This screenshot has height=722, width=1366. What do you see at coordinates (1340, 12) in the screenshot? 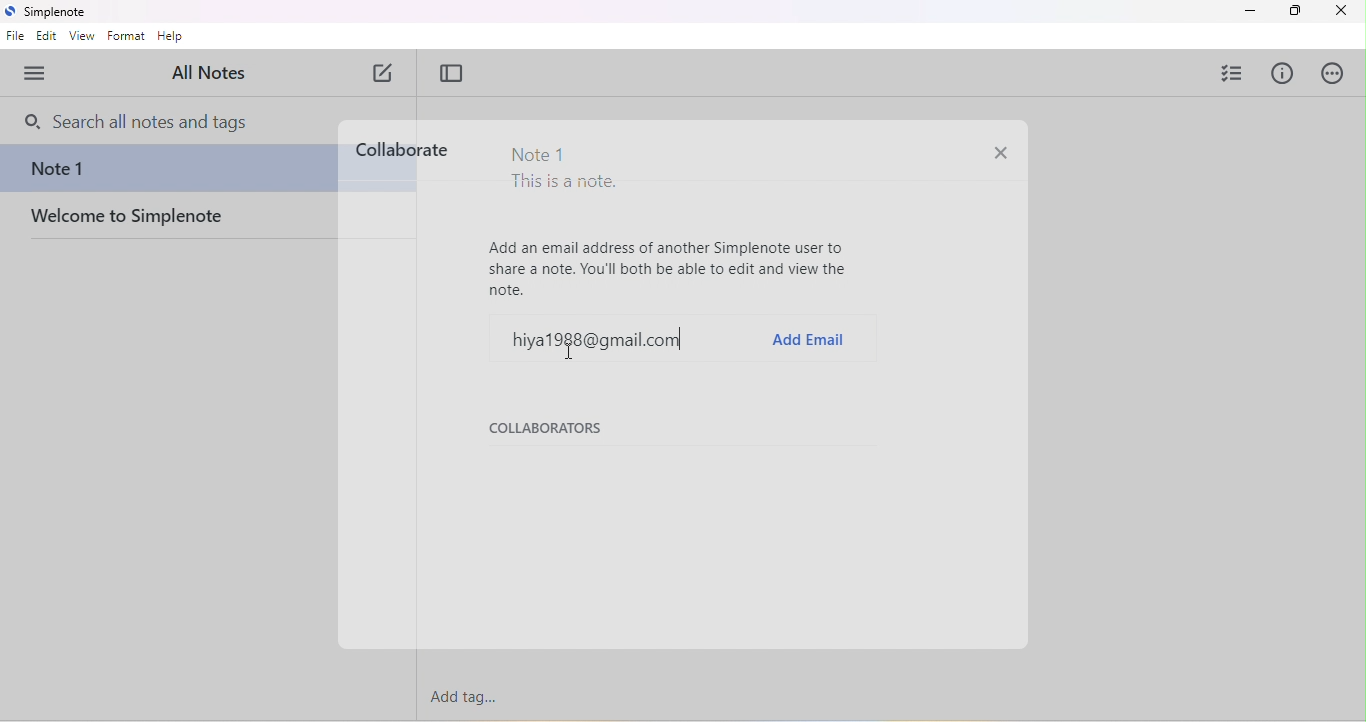
I see `close` at bounding box center [1340, 12].